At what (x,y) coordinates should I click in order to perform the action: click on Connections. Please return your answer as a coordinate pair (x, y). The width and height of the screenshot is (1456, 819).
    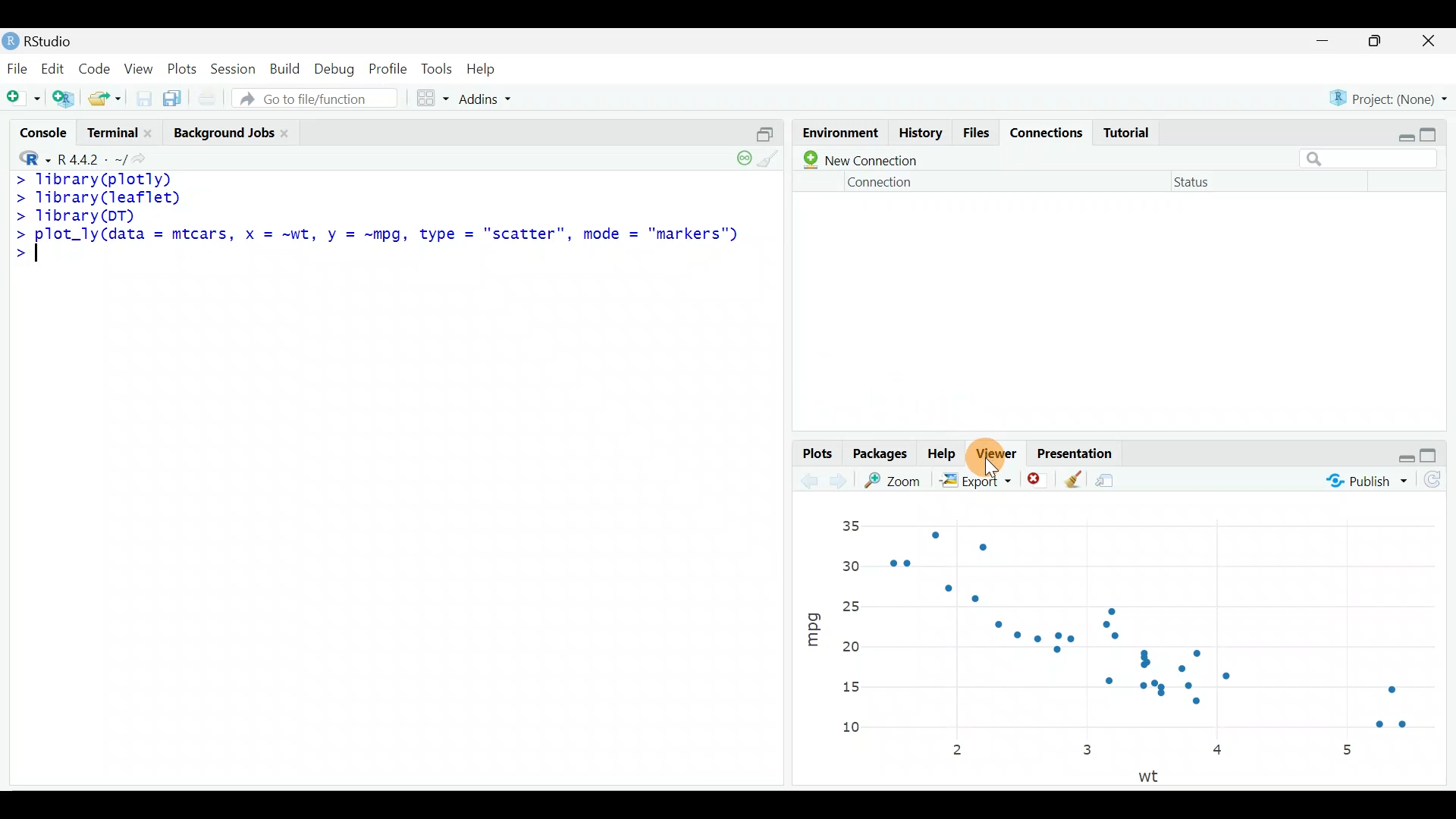
    Looking at the image, I should click on (1042, 129).